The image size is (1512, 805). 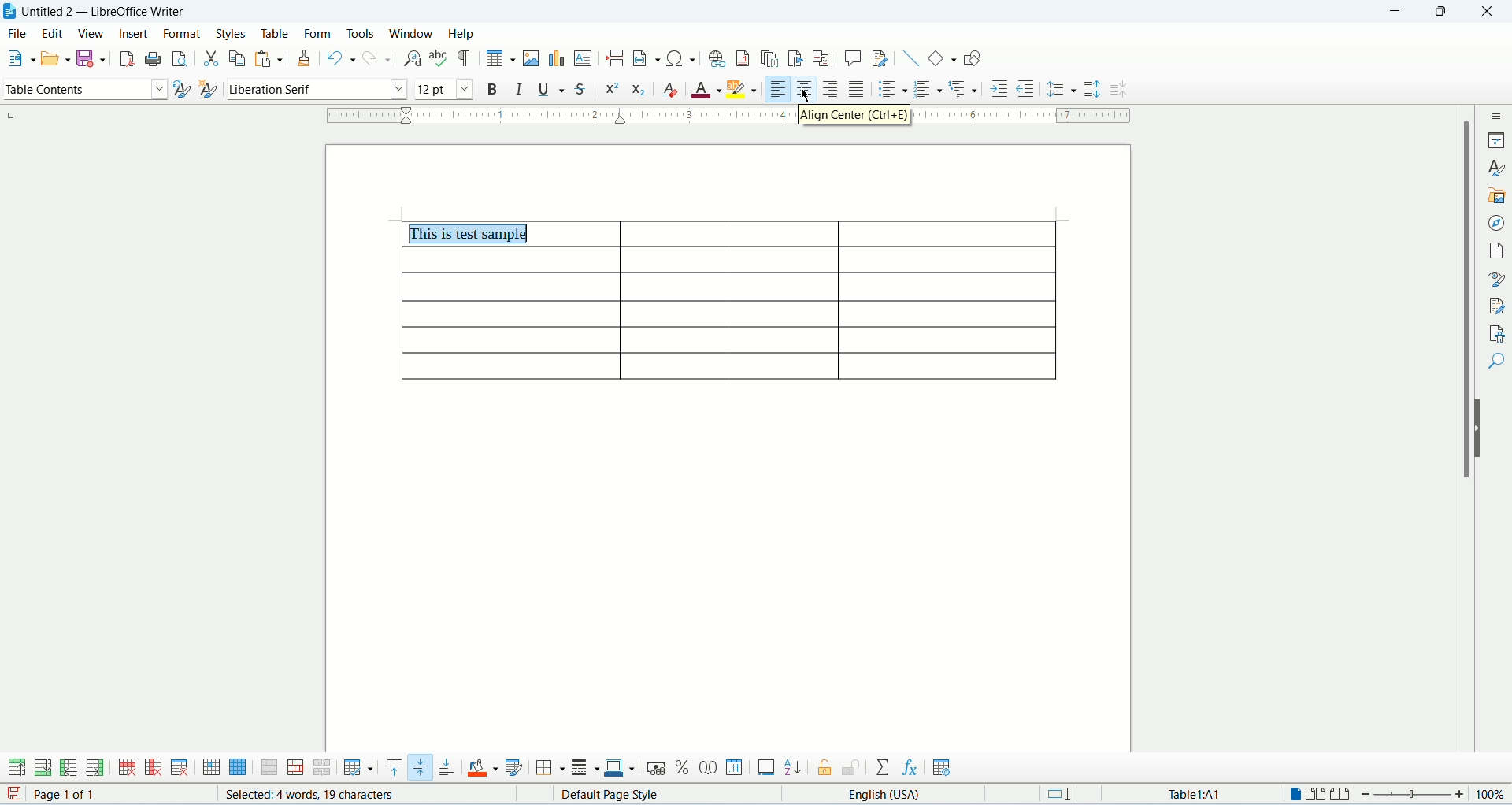 I want to click on text language, so click(x=891, y=795).